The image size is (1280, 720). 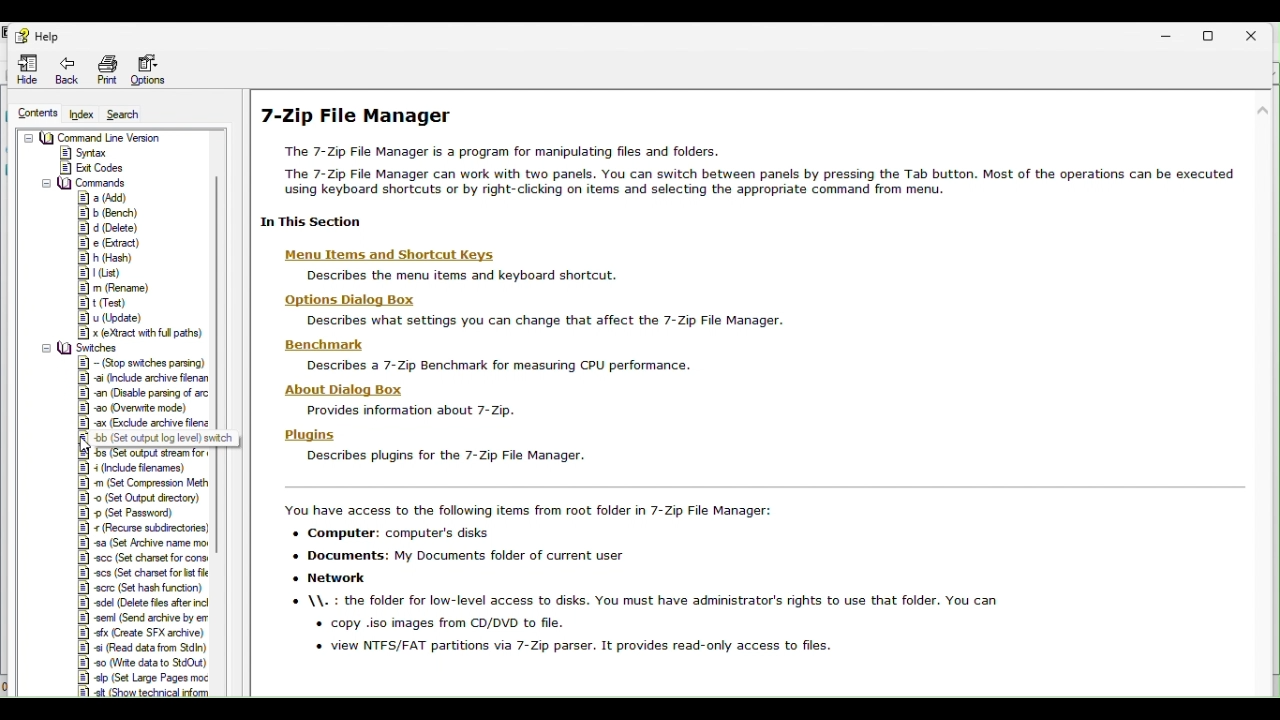 I want to click on =] | (List), so click(x=101, y=273).